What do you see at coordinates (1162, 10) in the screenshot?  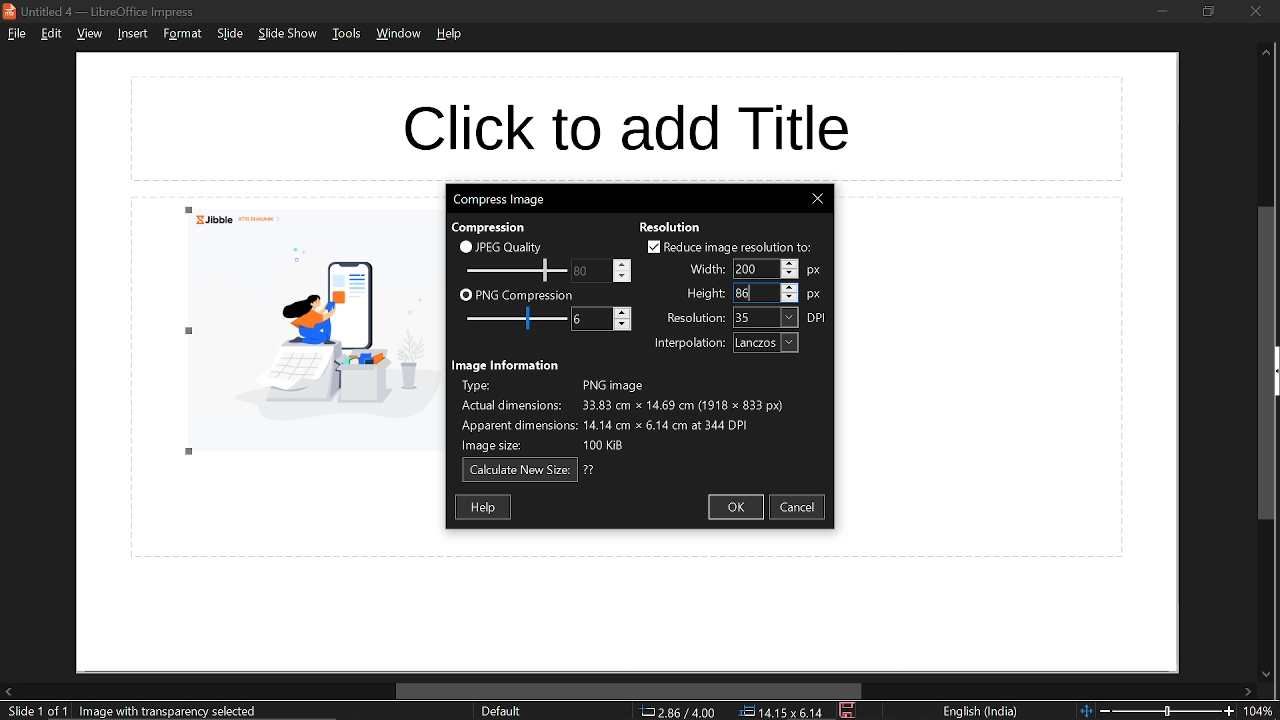 I see `minimize` at bounding box center [1162, 10].